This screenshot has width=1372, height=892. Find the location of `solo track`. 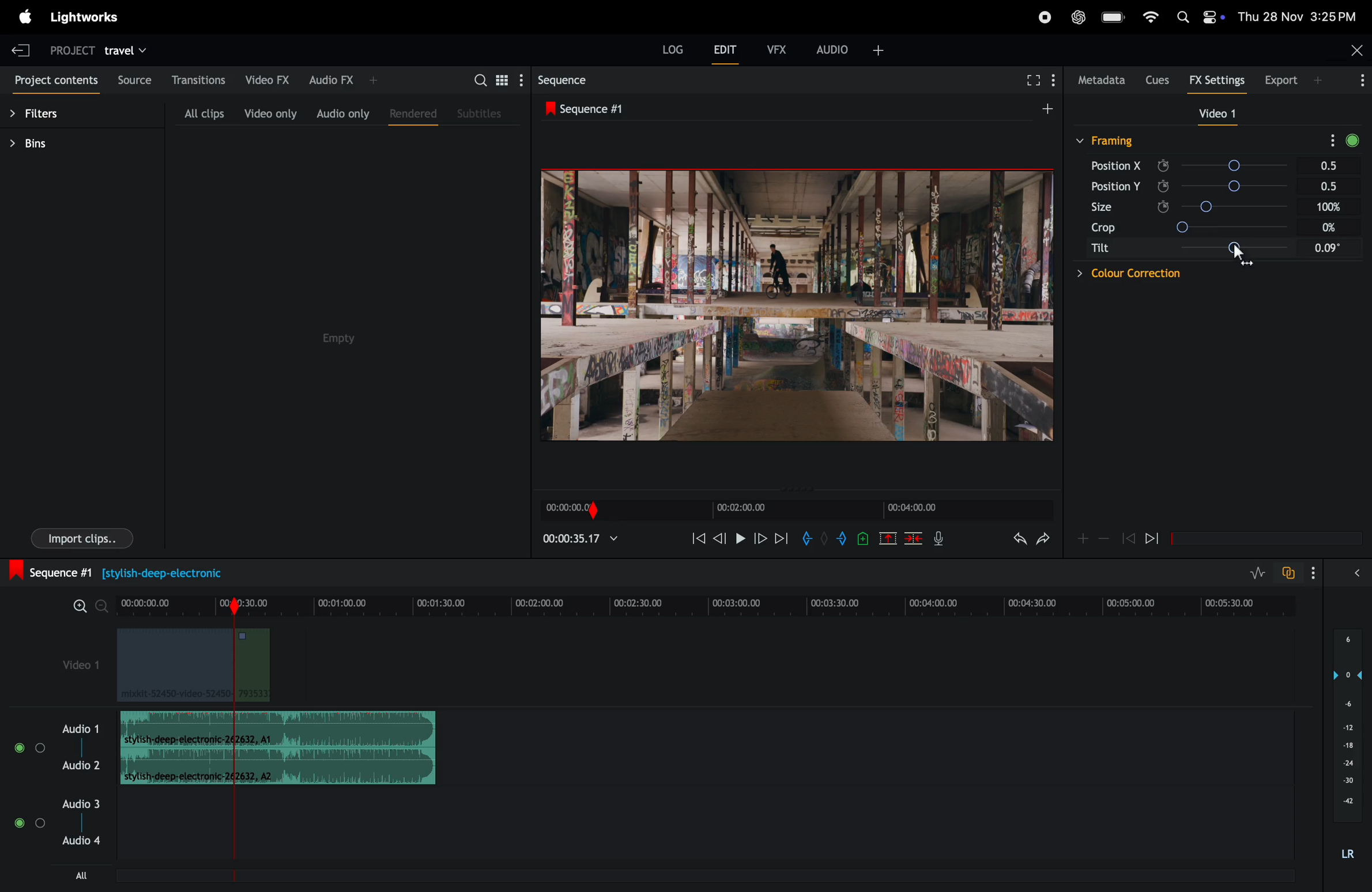

solo track is located at coordinates (40, 747).